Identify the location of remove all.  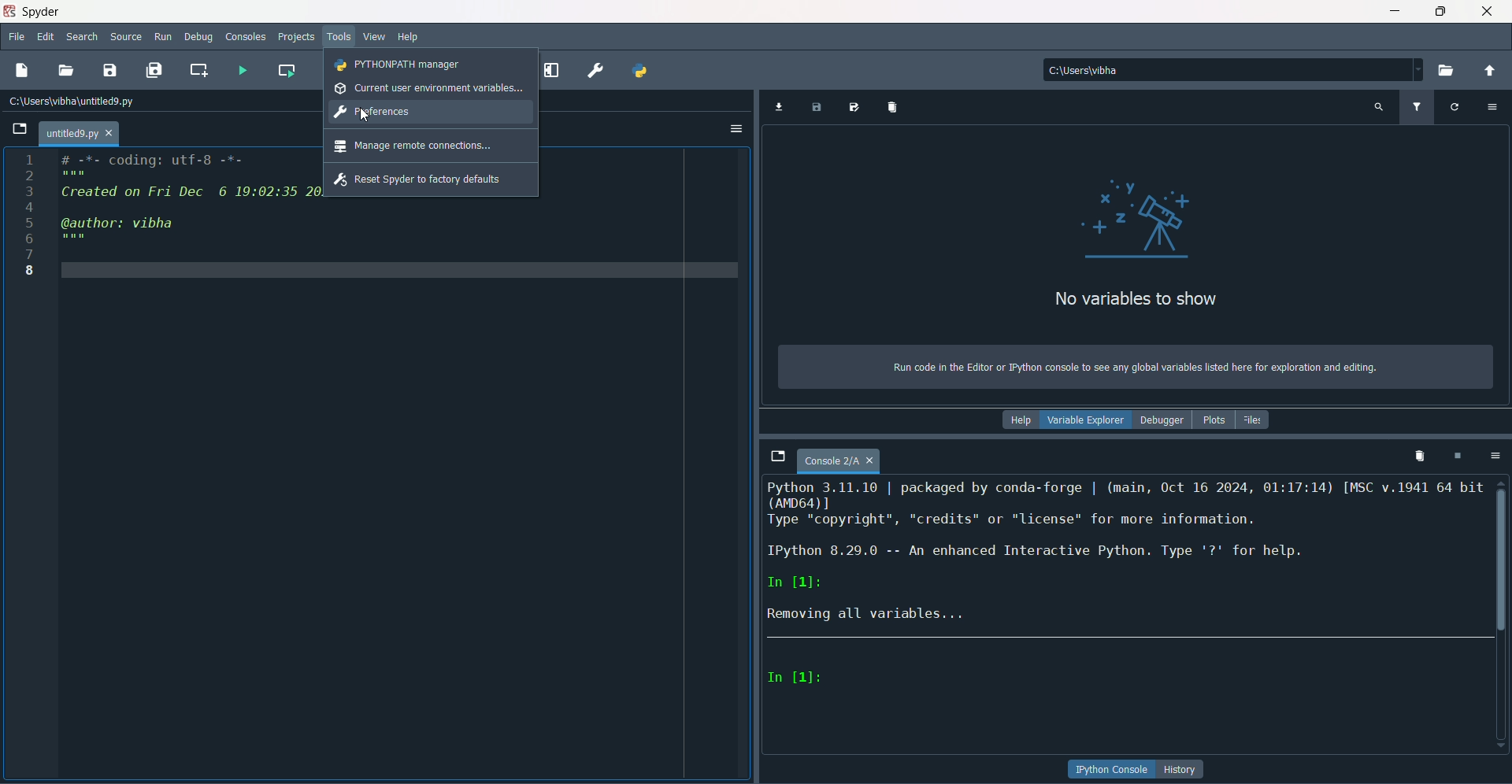
(1417, 455).